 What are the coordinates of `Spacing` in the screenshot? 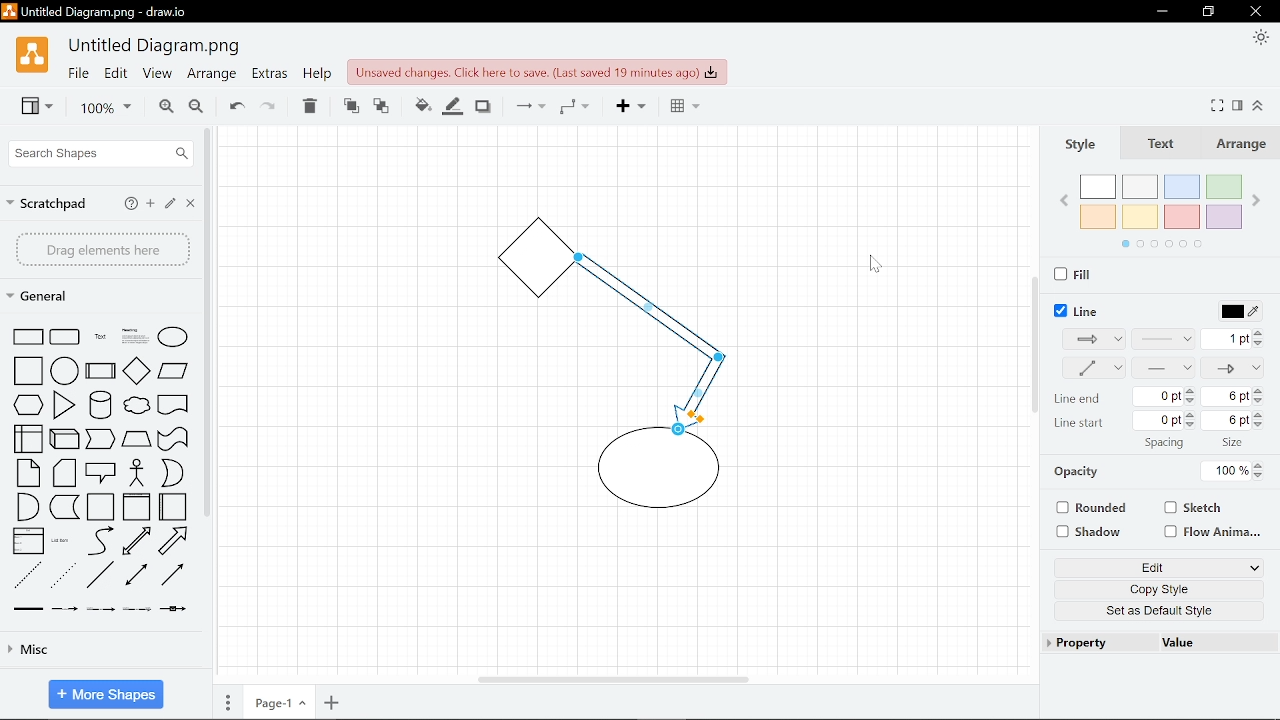 It's located at (1169, 444).